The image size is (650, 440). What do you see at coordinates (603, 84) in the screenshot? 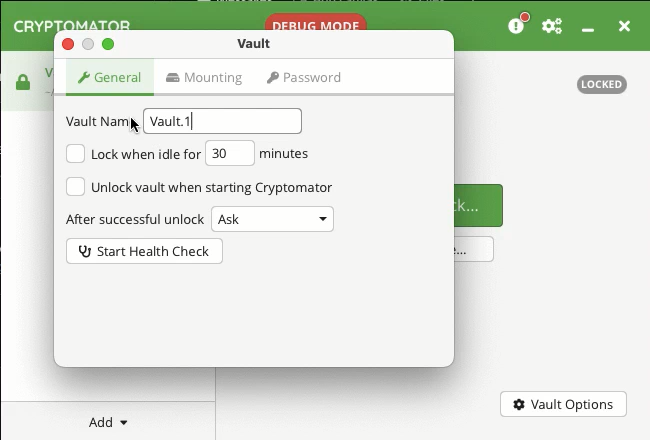
I see `LOCKED` at bounding box center [603, 84].